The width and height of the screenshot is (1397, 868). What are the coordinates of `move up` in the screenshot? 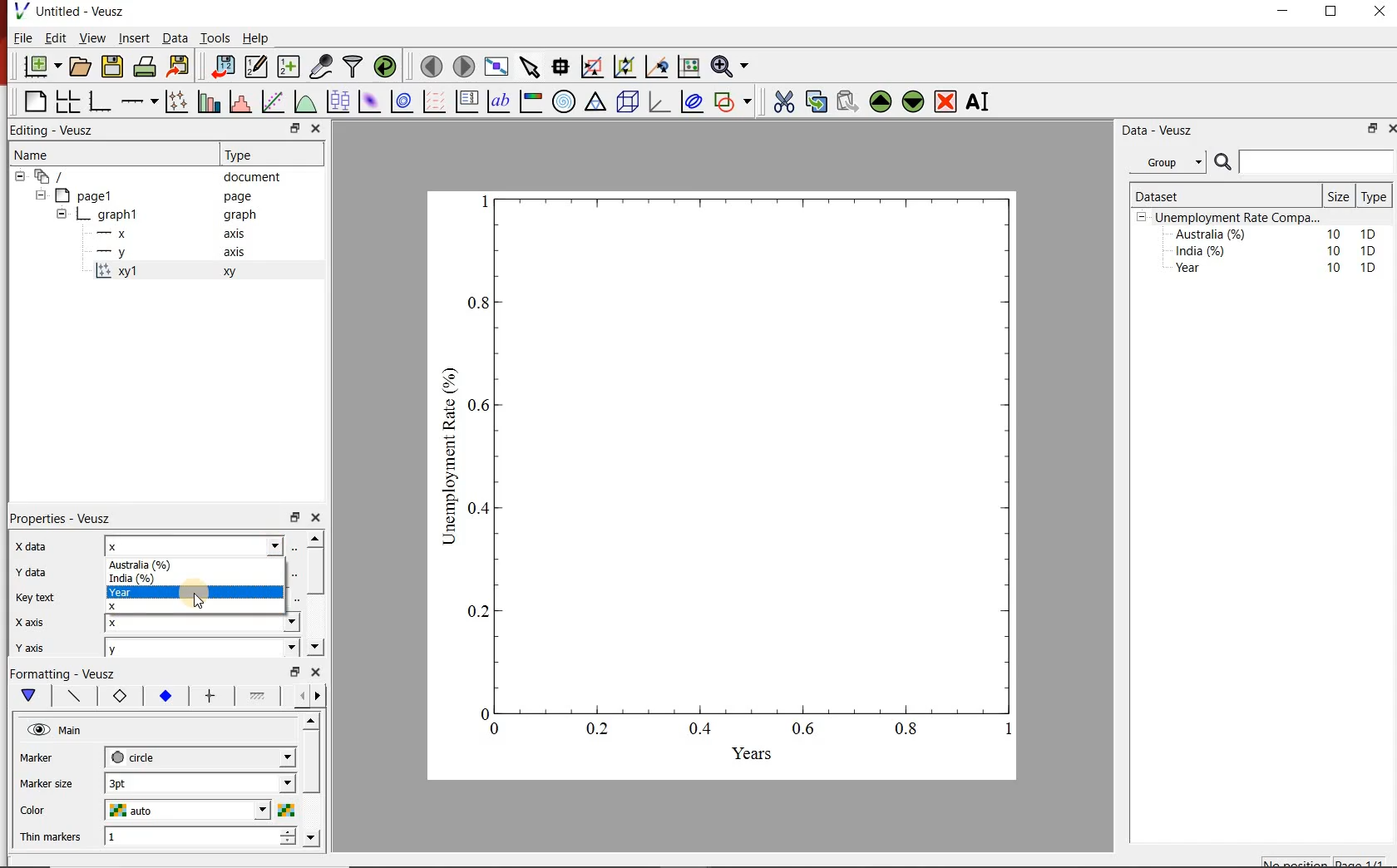 It's located at (313, 721).